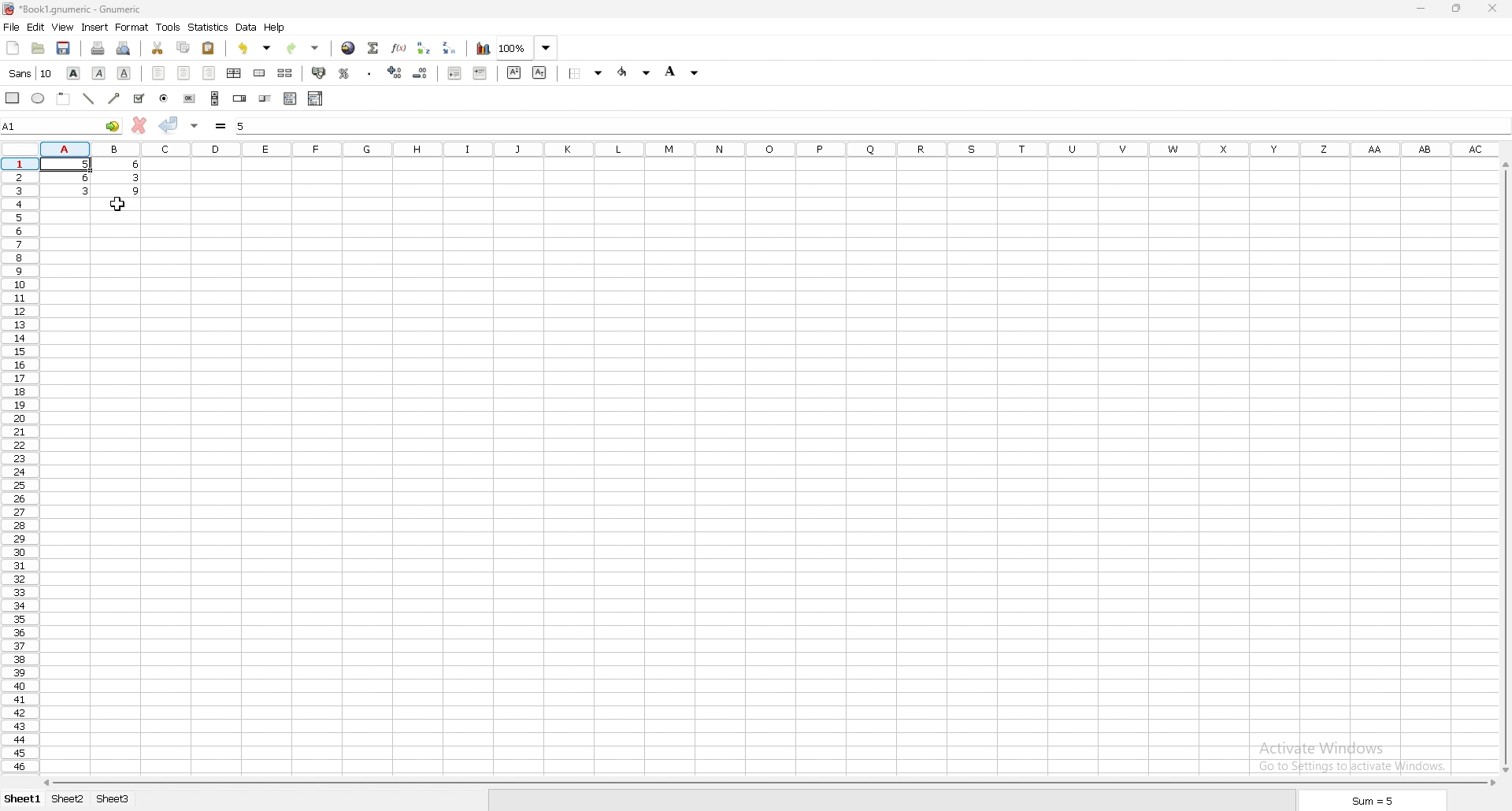 The width and height of the screenshot is (1512, 811). I want to click on summation, so click(373, 48).